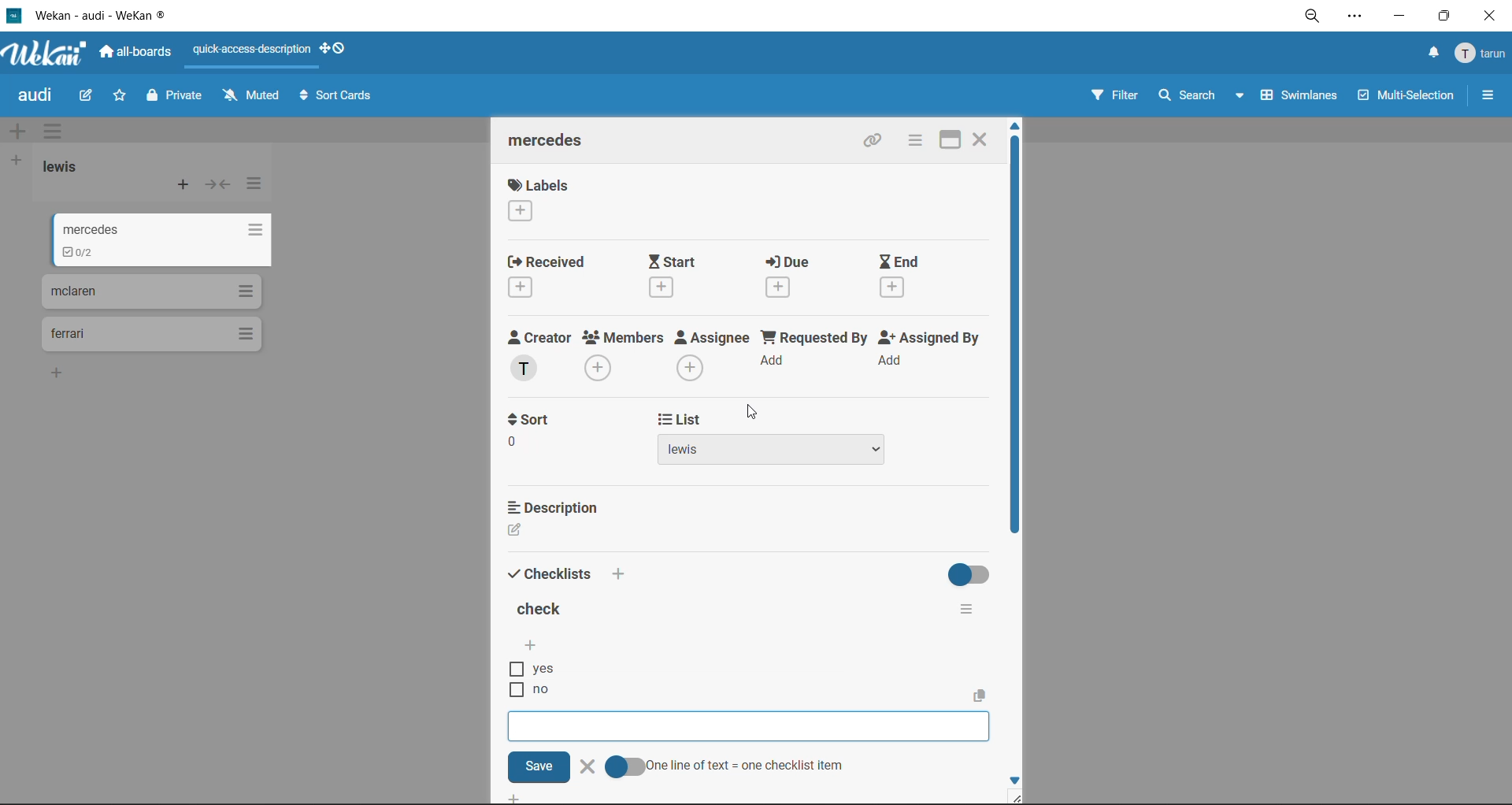 The height and width of the screenshot is (805, 1512). I want to click on cards, so click(150, 335).